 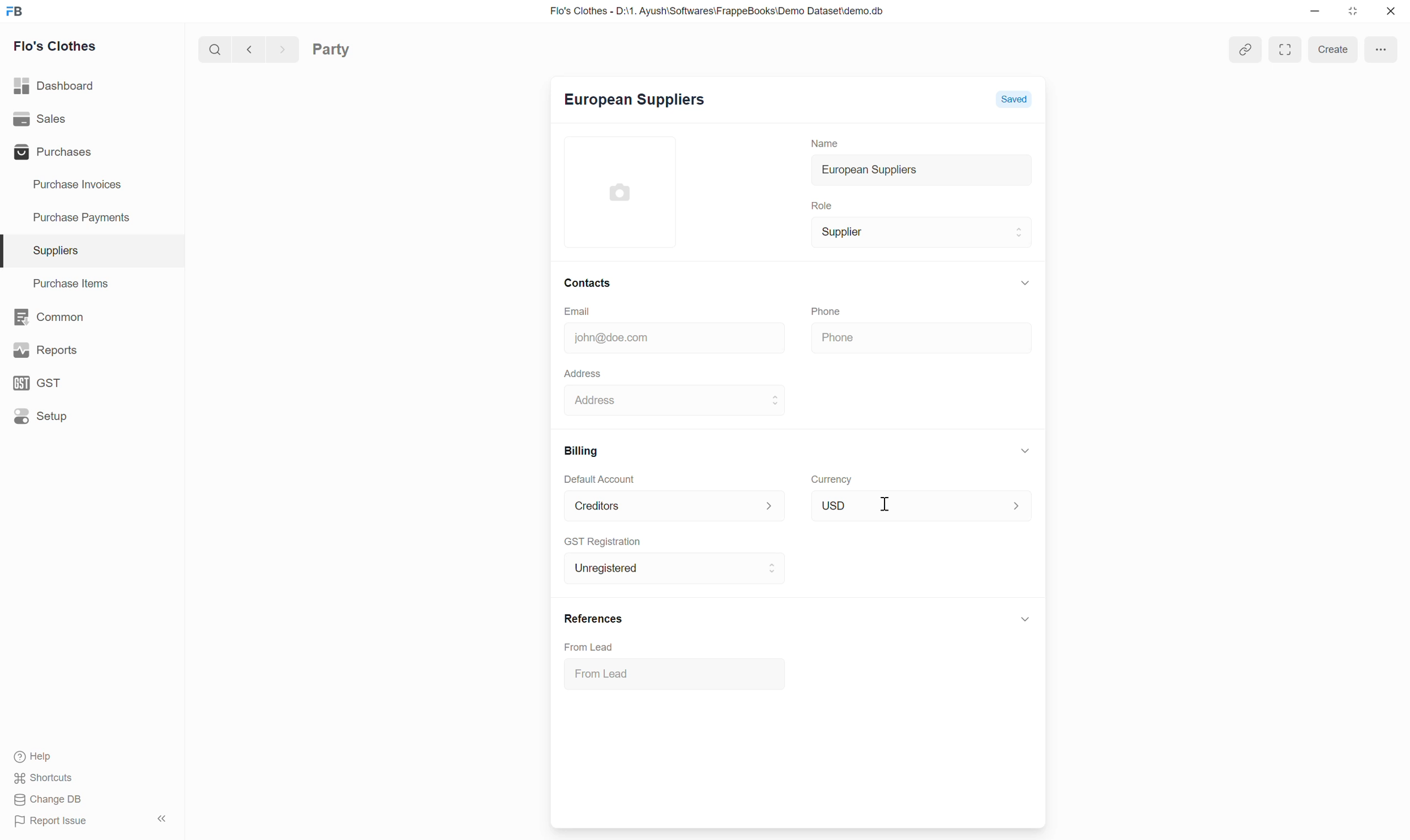 What do you see at coordinates (45, 313) in the screenshot?
I see `BE Common` at bounding box center [45, 313].